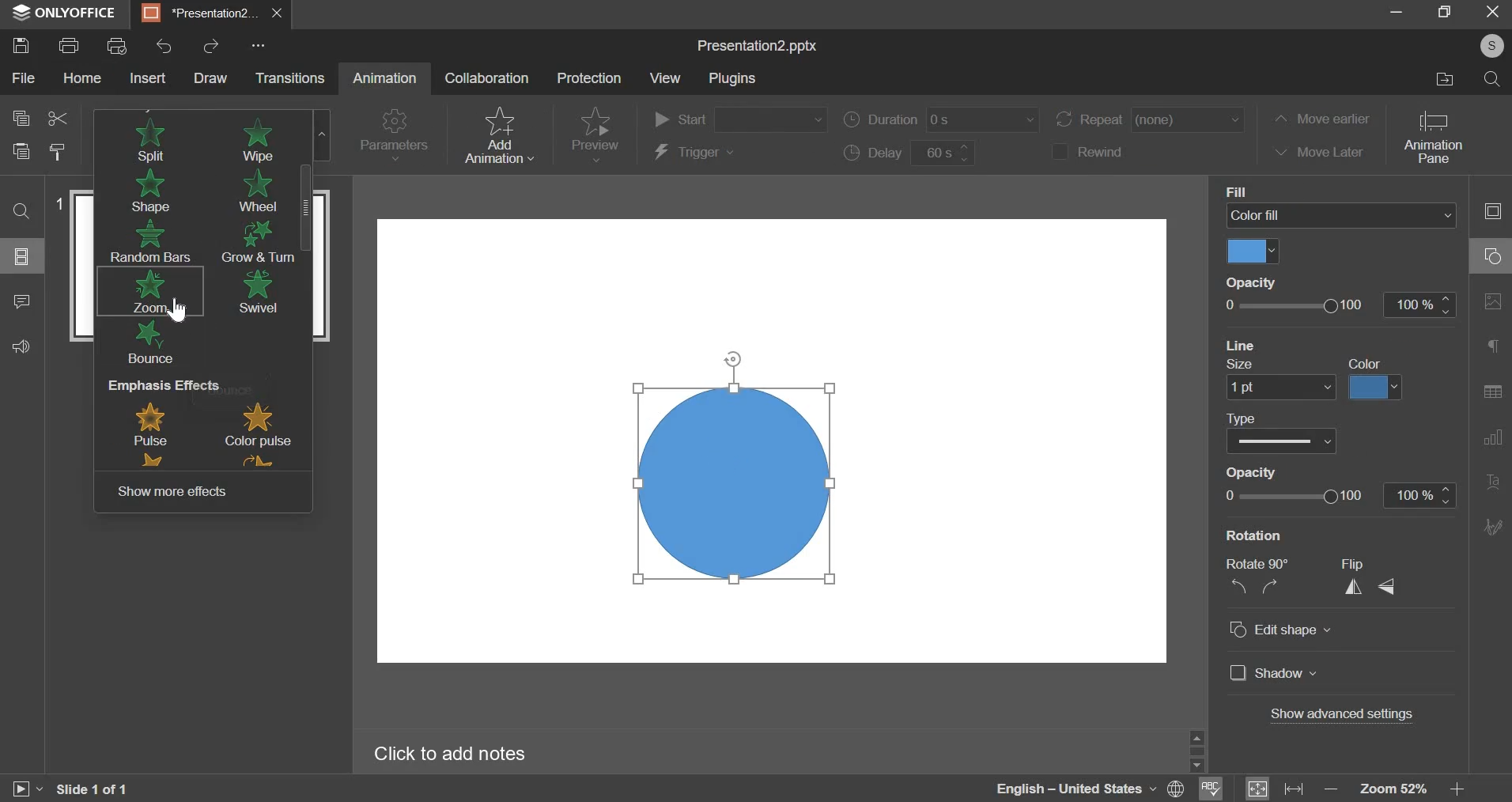  Describe the element at coordinates (1200, 736) in the screenshot. I see `move up` at that location.